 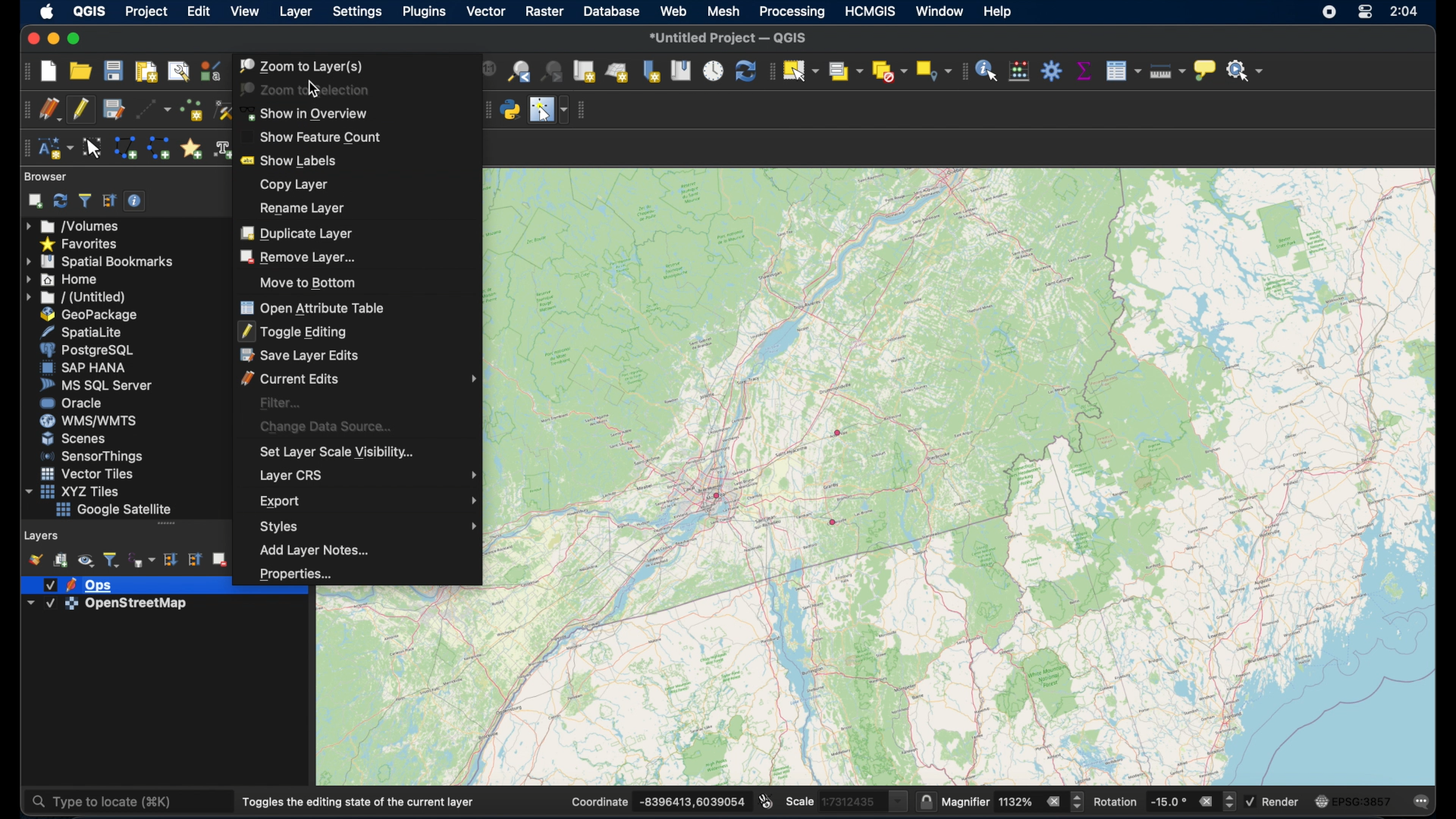 What do you see at coordinates (147, 12) in the screenshot?
I see `project` at bounding box center [147, 12].